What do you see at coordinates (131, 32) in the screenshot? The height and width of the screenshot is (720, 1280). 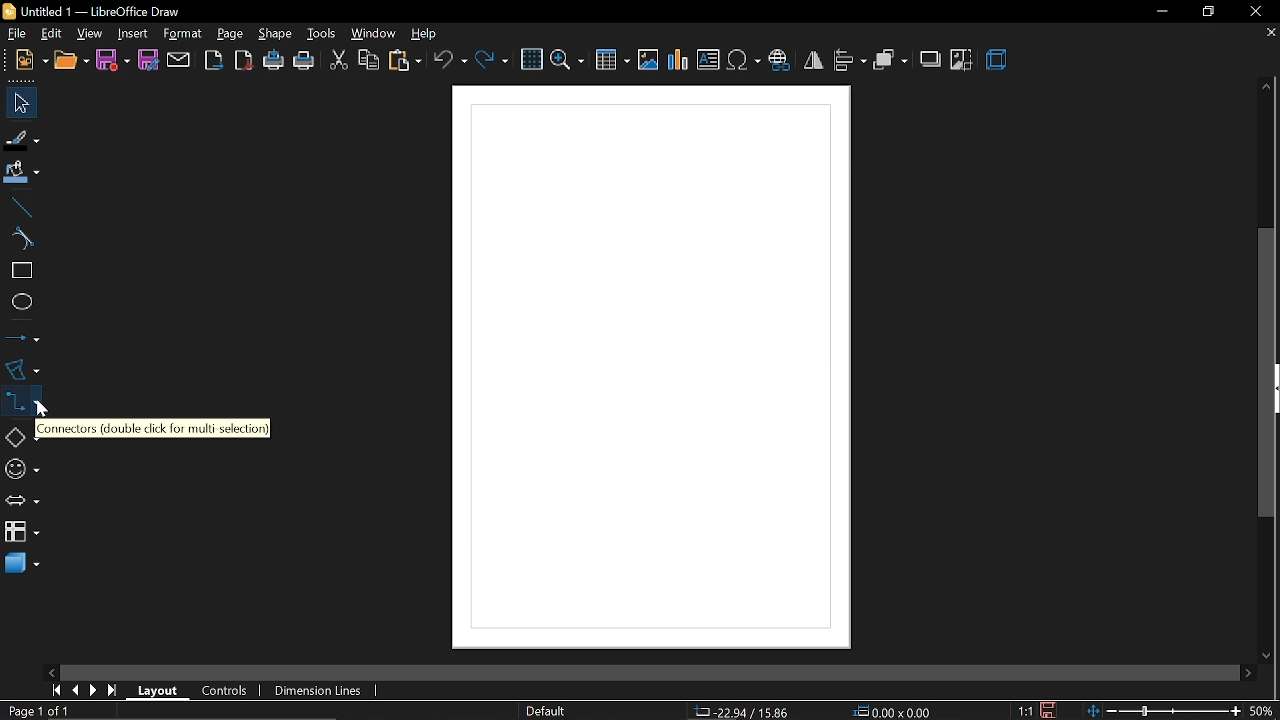 I see `Insert` at bounding box center [131, 32].